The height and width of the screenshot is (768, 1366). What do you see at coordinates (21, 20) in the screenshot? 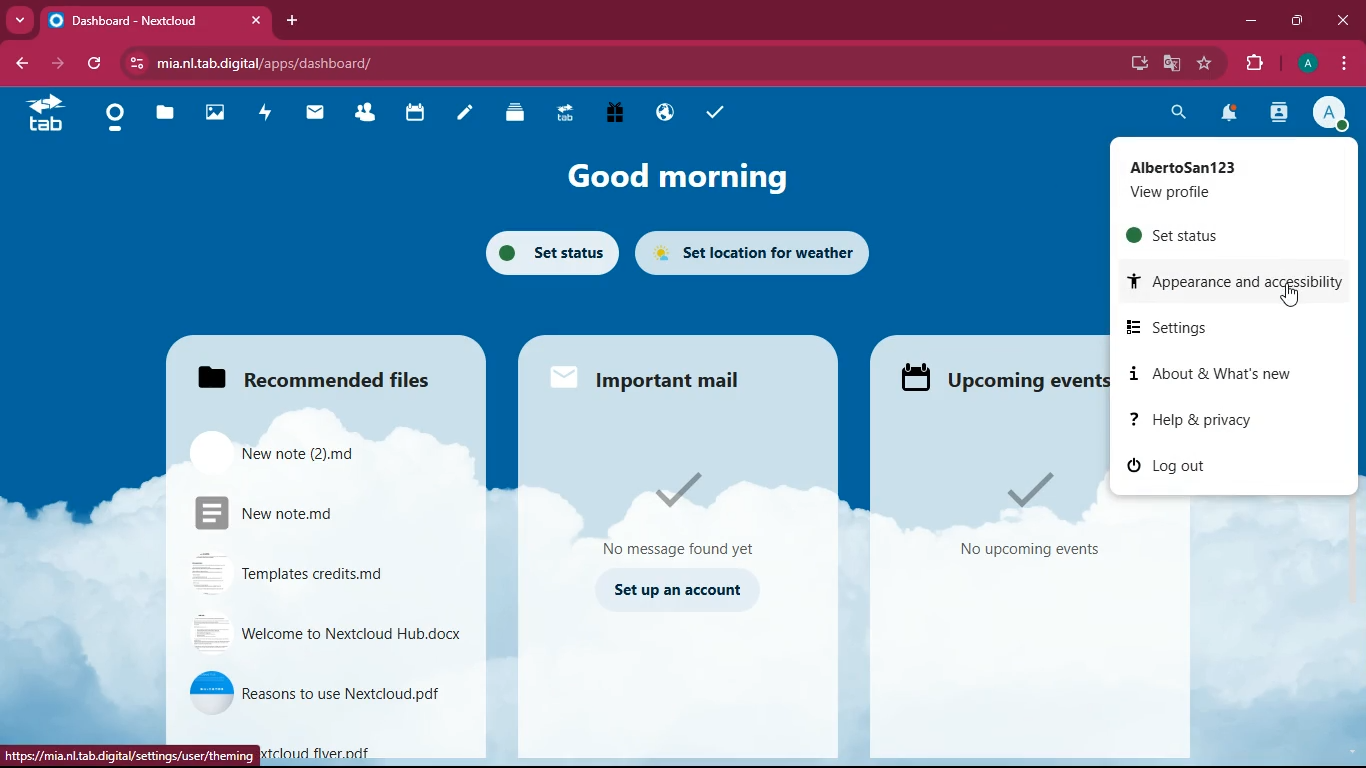
I see `more` at bounding box center [21, 20].